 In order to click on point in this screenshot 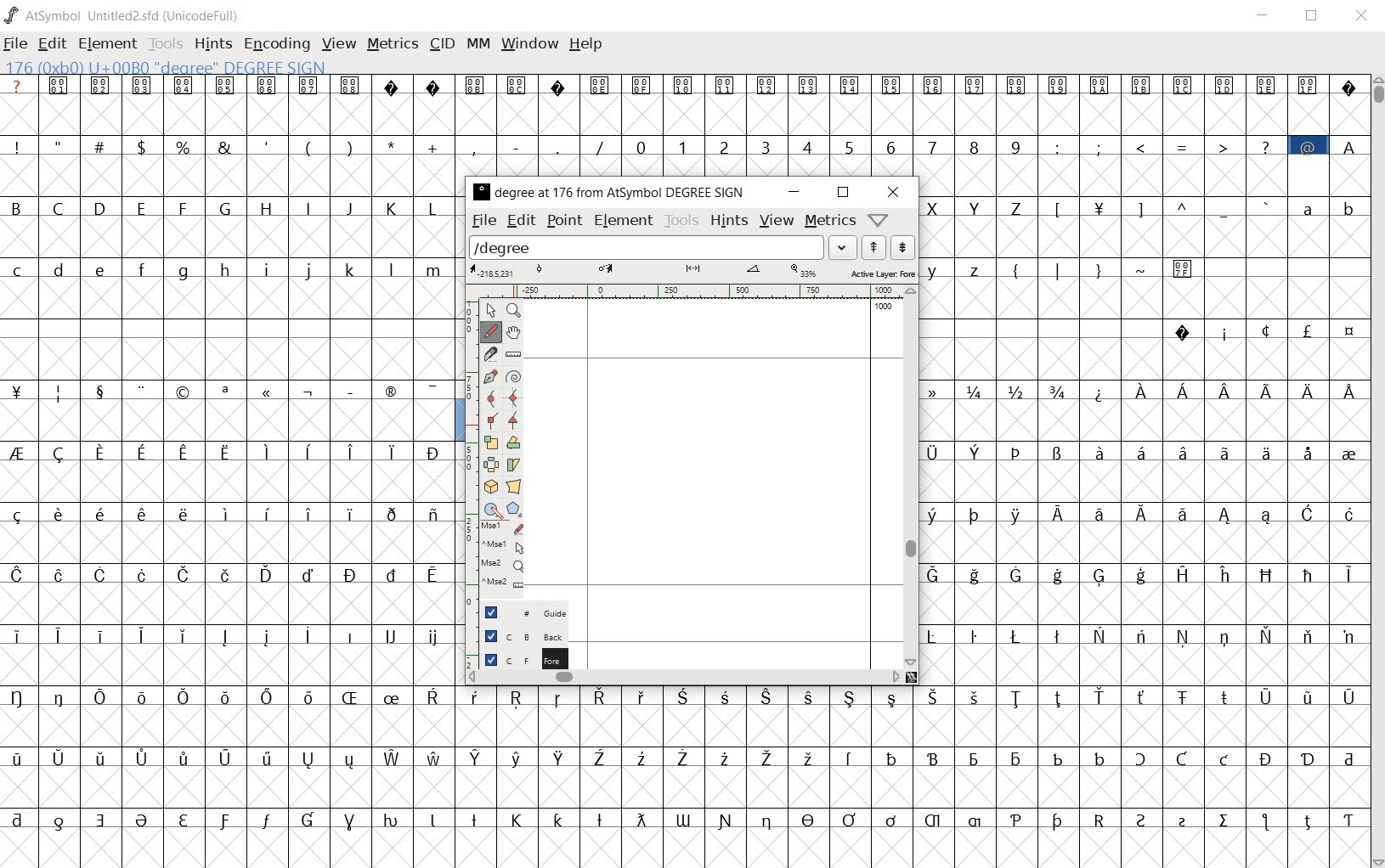, I will do `click(562, 221)`.